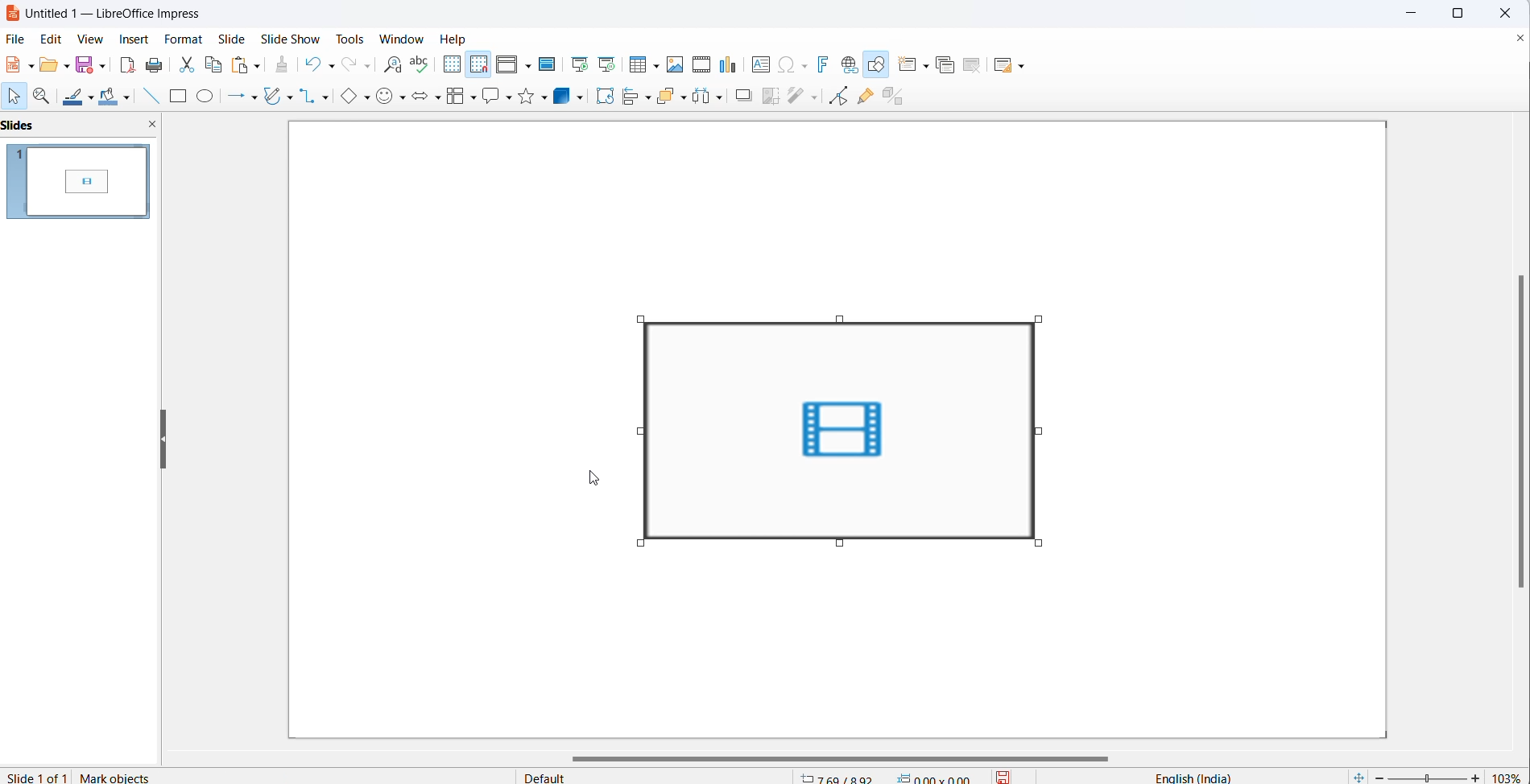 This screenshot has height=784, width=1530. What do you see at coordinates (75, 97) in the screenshot?
I see `line color` at bounding box center [75, 97].